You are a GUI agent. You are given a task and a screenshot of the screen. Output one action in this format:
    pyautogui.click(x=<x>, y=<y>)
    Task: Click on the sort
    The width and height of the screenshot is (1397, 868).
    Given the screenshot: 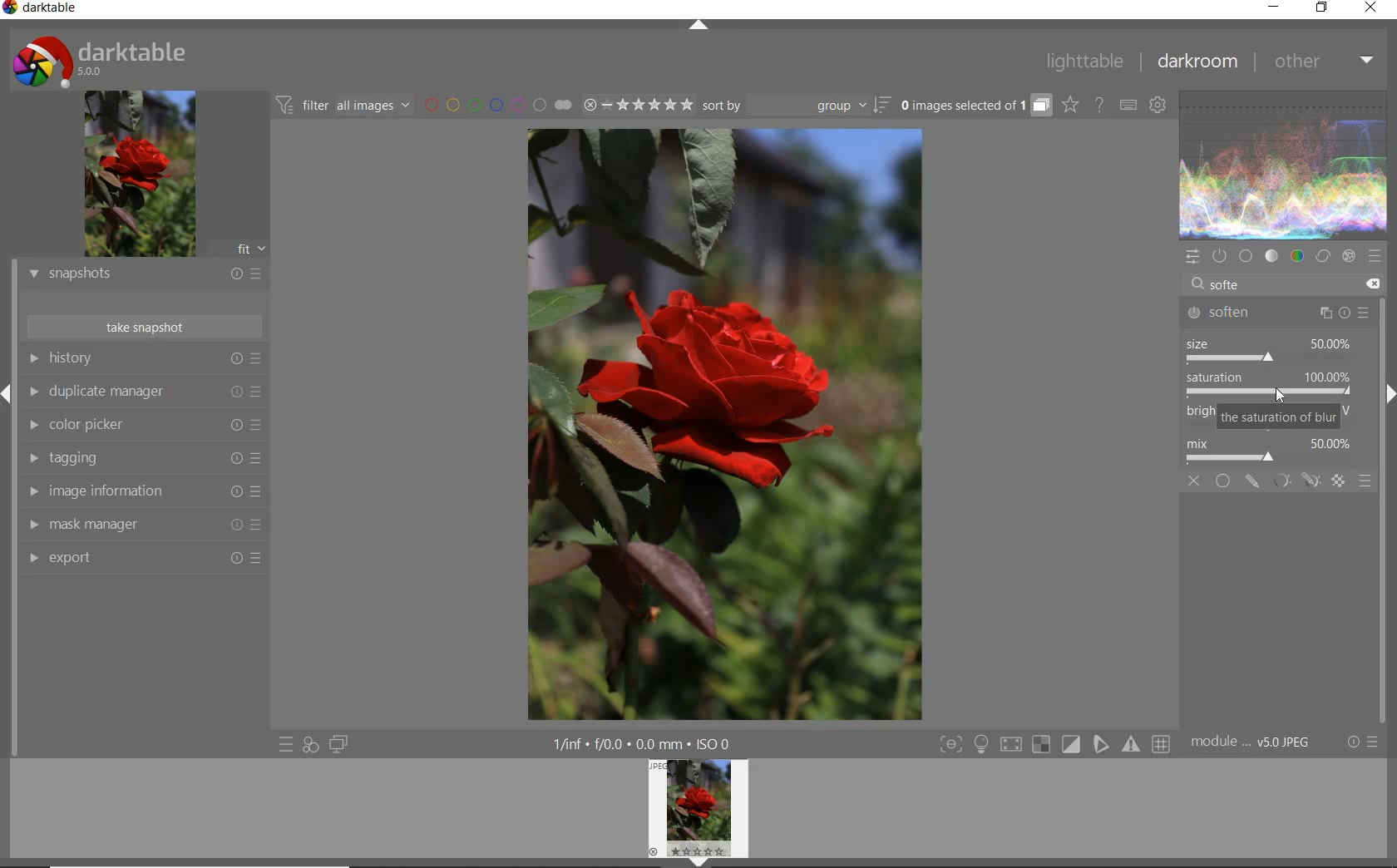 What is the action you would take?
    pyautogui.click(x=797, y=106)
    